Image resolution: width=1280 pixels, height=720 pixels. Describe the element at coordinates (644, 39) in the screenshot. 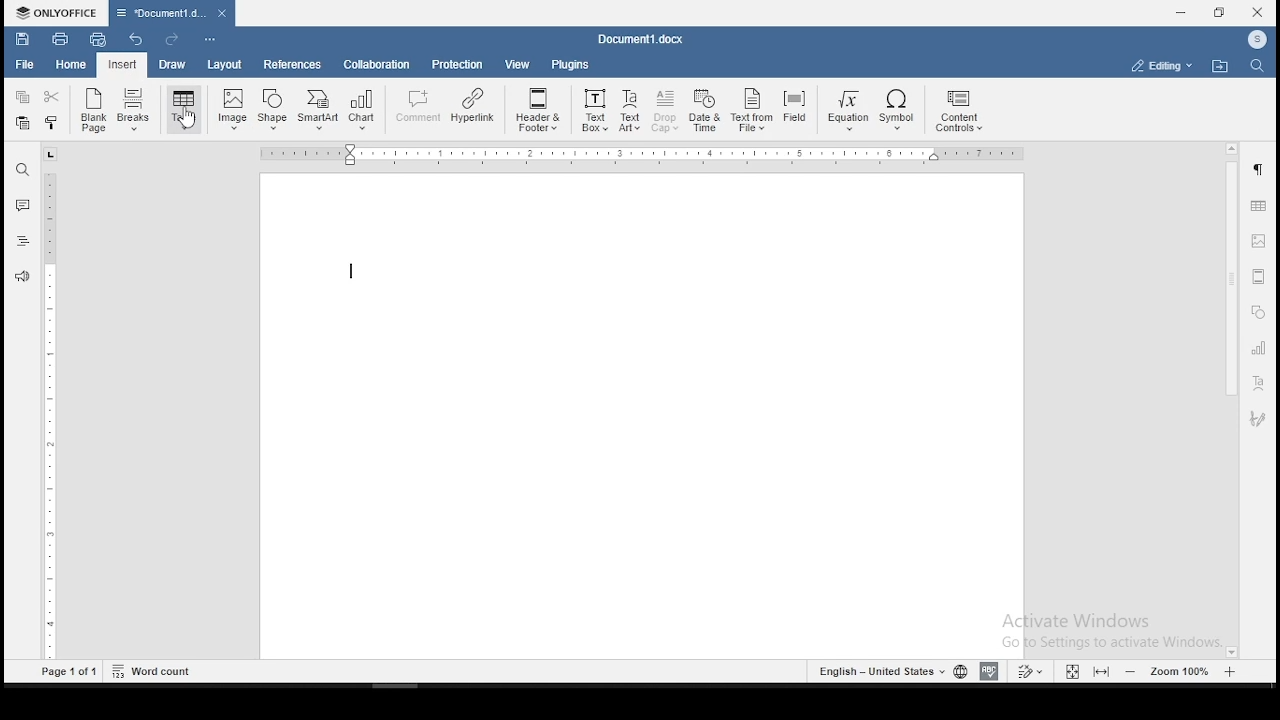

I see `Document3.docx` at that location.